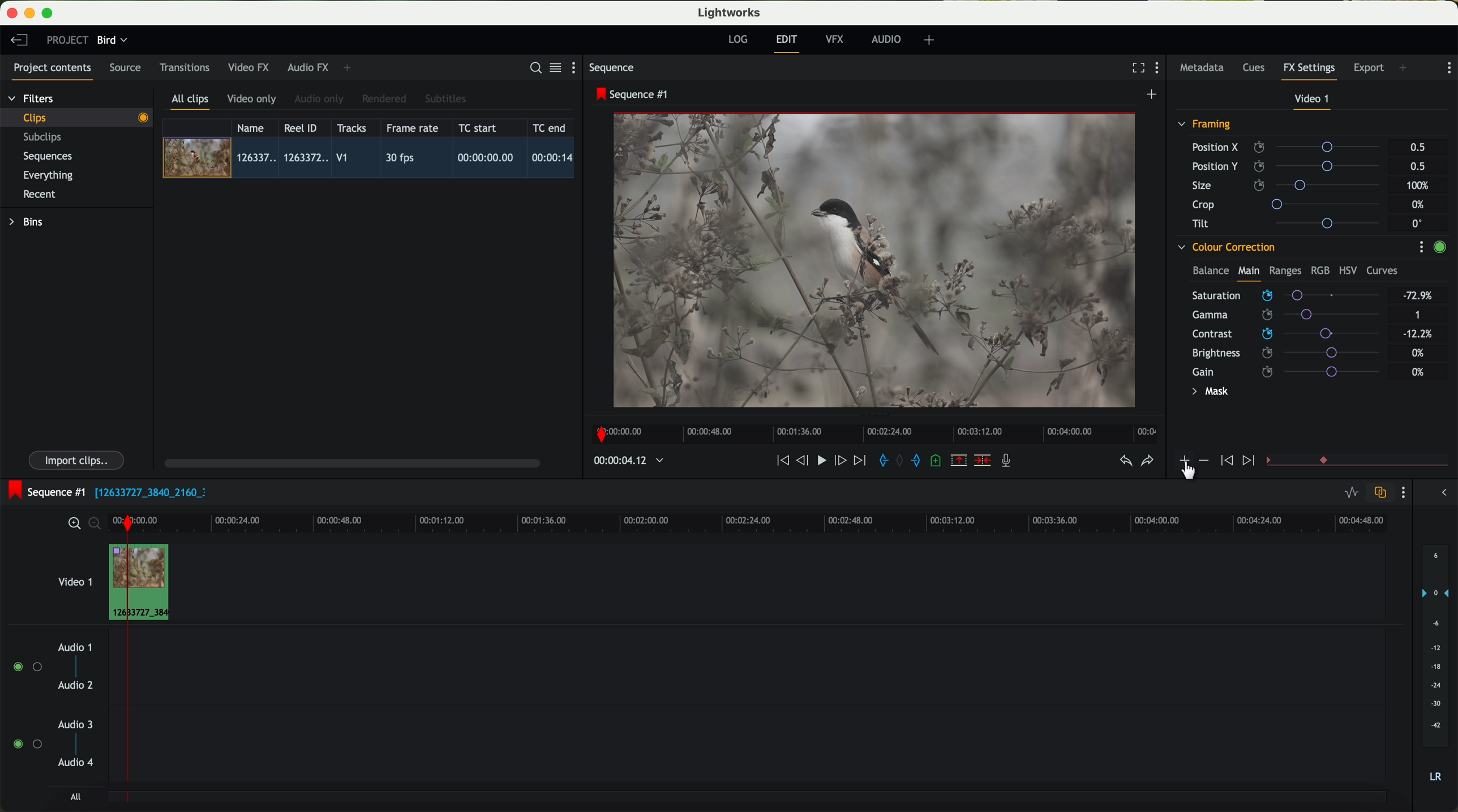 The width and height of the screenshot is (1458, 812). Describe the element at coordinates (1418, 223) in the screenshot. I see `0°` at that location.